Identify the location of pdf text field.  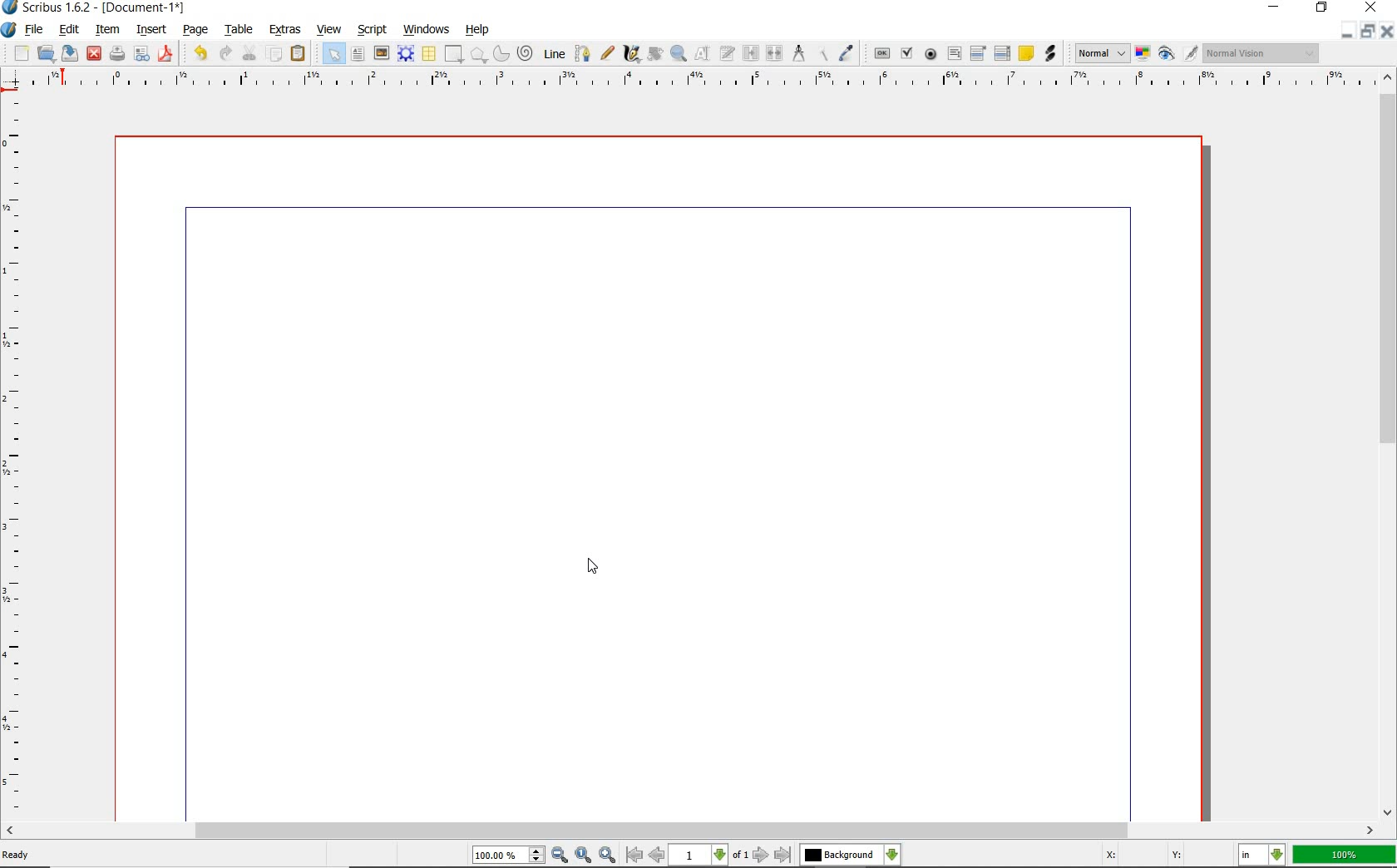
(954, 53).